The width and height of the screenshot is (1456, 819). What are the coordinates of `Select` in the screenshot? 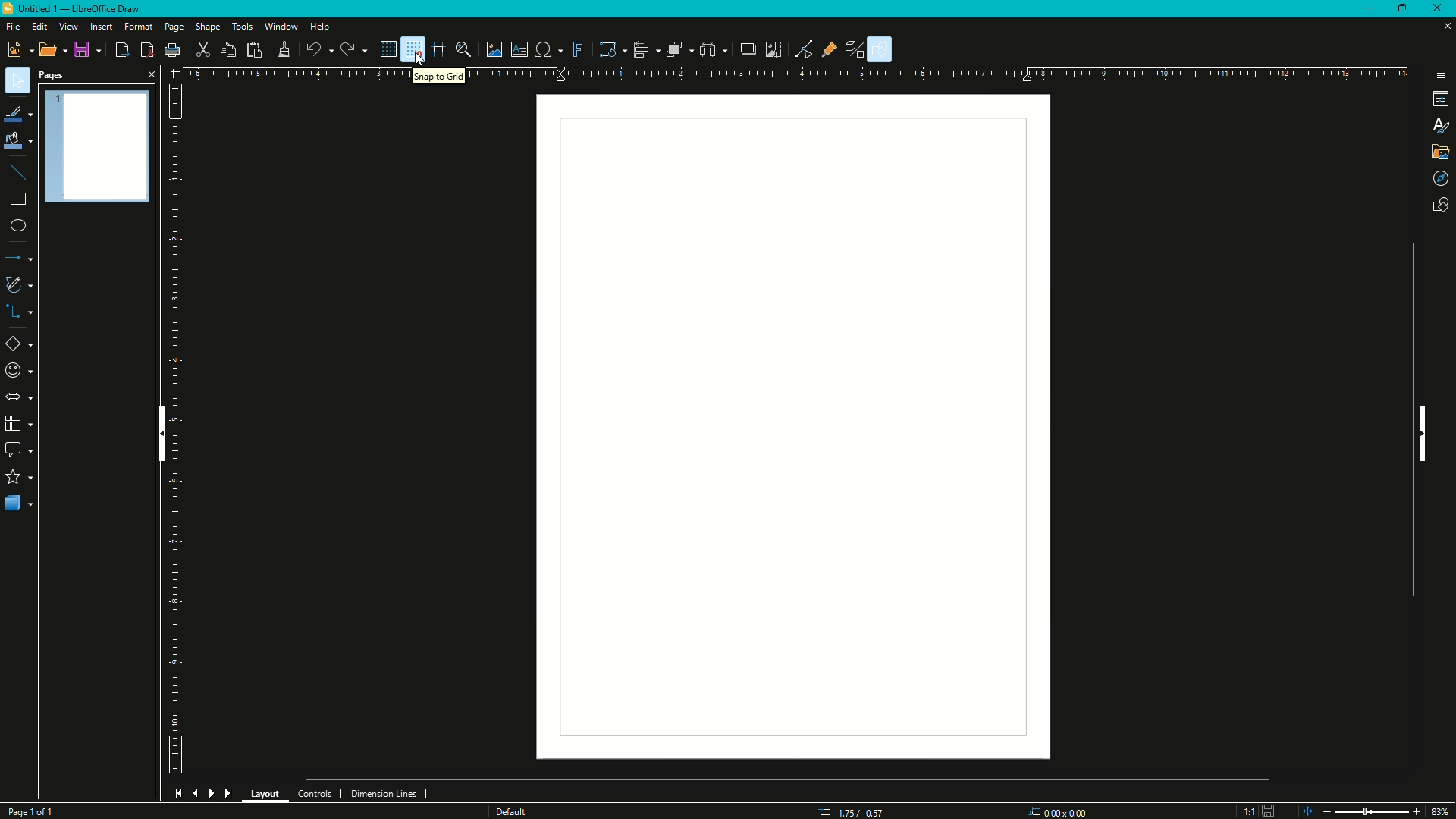 It's located at (20, 80).